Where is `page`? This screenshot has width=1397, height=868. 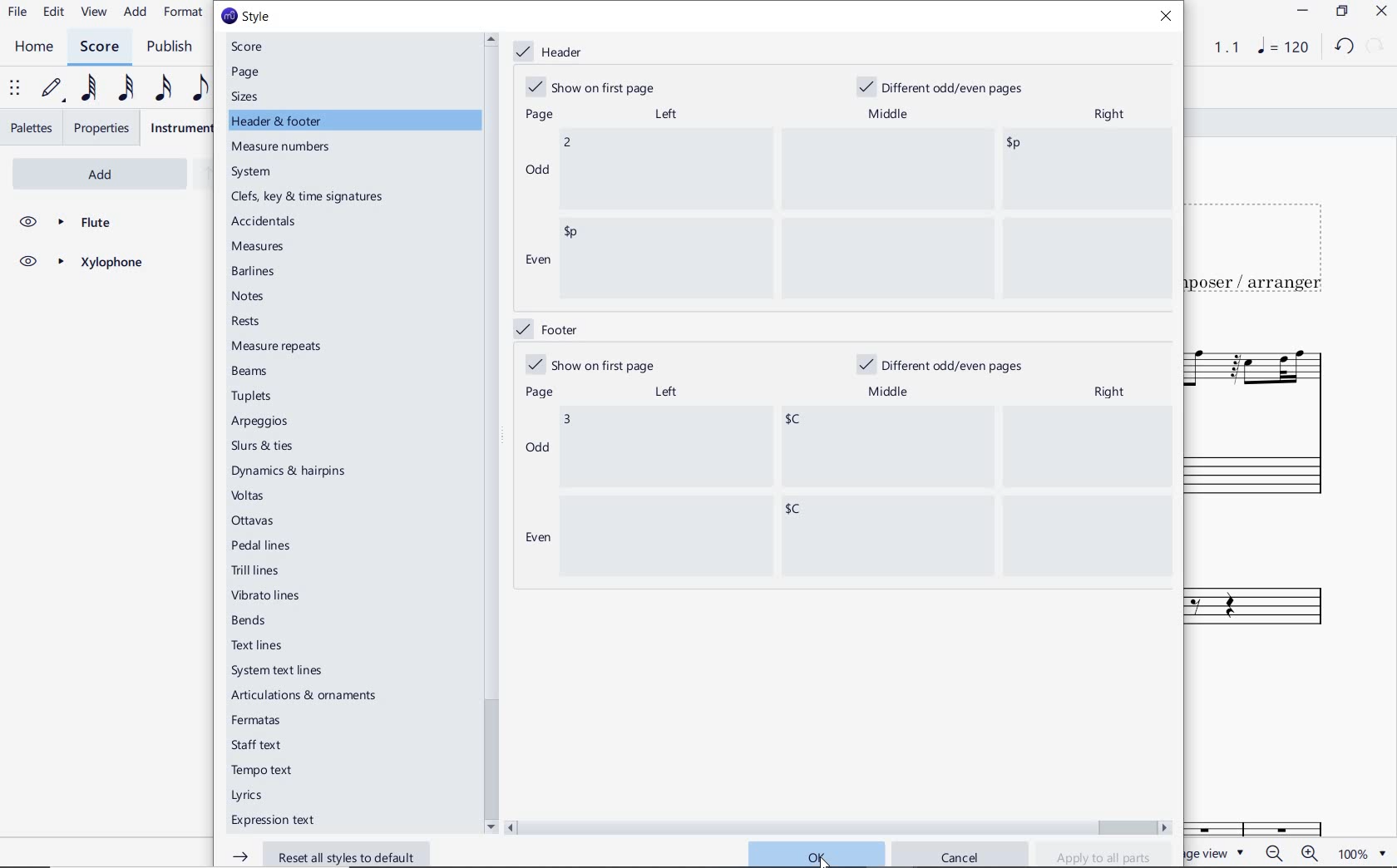 page is located at coordinates (247, 72).